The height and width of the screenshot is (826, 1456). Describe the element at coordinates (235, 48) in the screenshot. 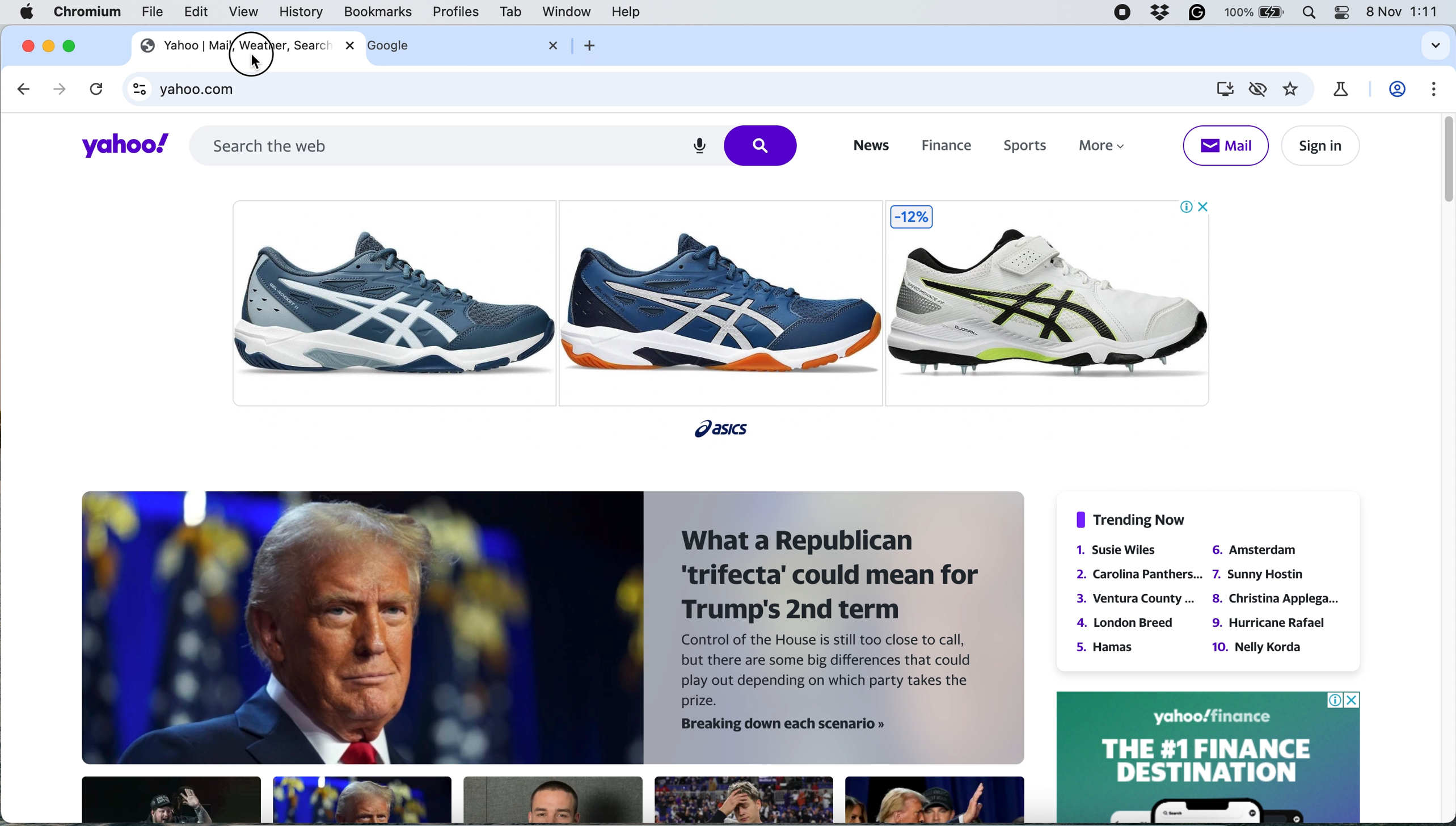

I see `yahoo | mail, weather, search` at that location.